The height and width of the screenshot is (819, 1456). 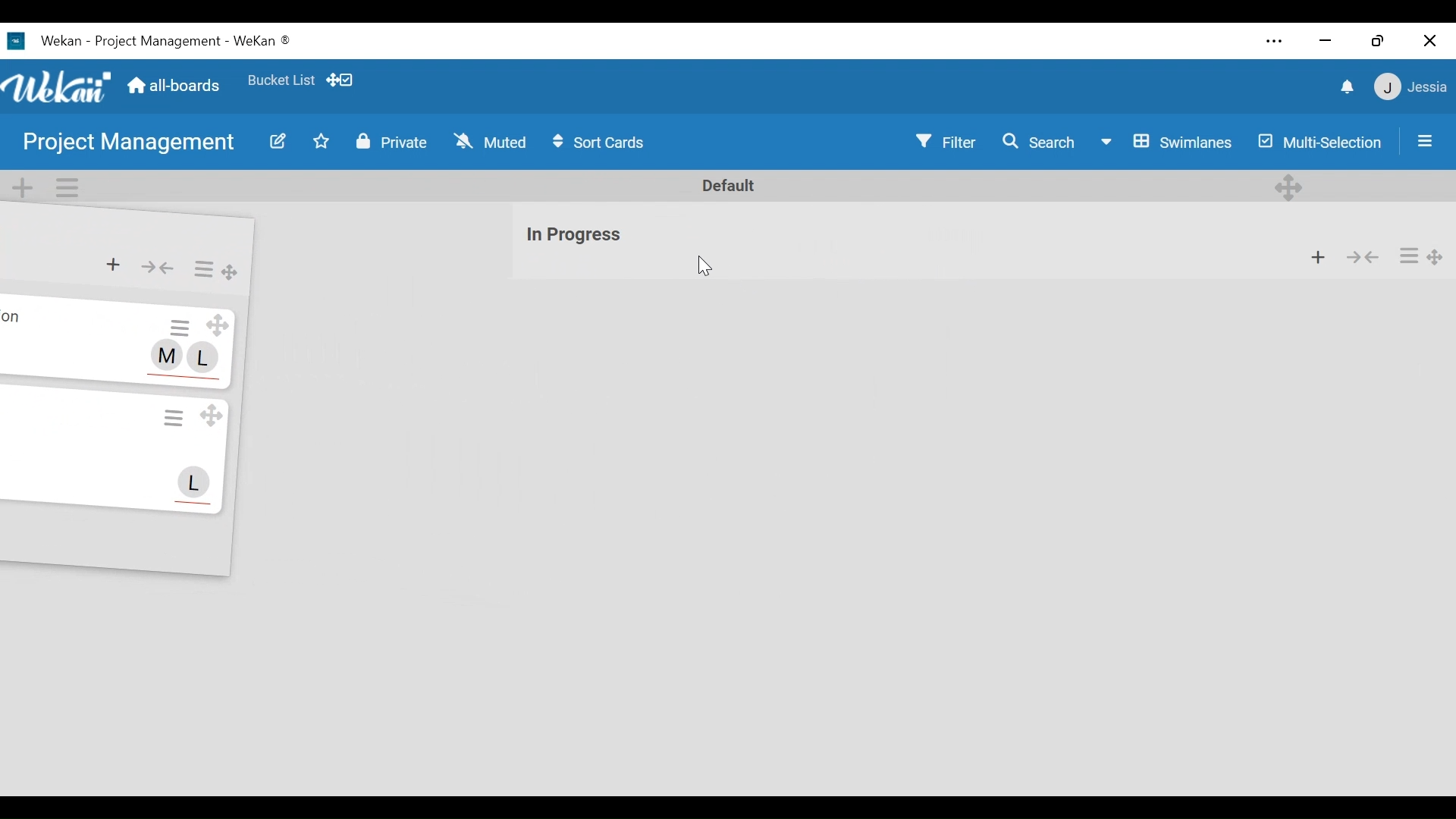 I want to click on member settings, so click(x=1410, y=86).